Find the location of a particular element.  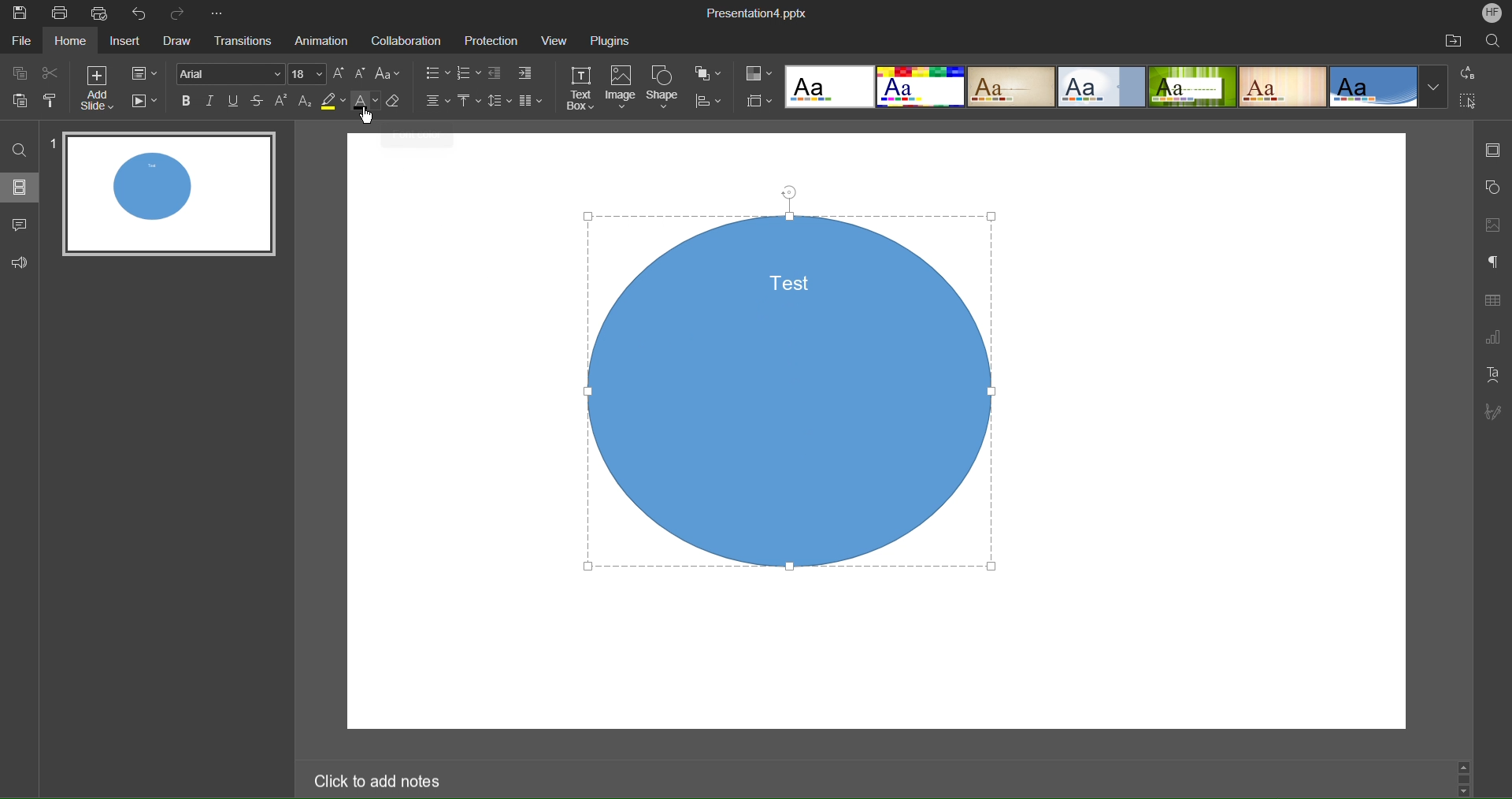

Save is located at coordinates (20, 13).